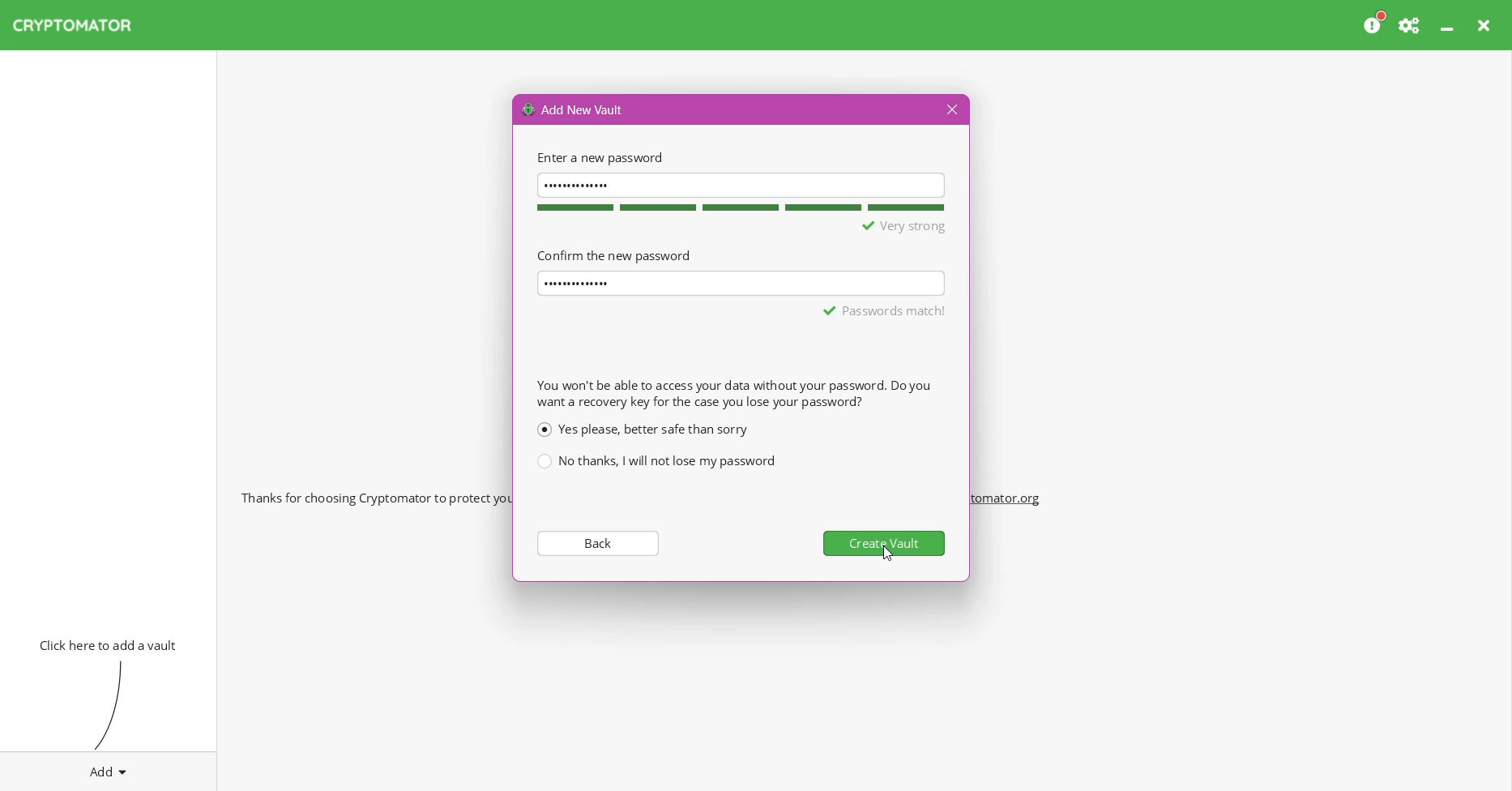  I want to click on Enter a new password, so click(741, 184).